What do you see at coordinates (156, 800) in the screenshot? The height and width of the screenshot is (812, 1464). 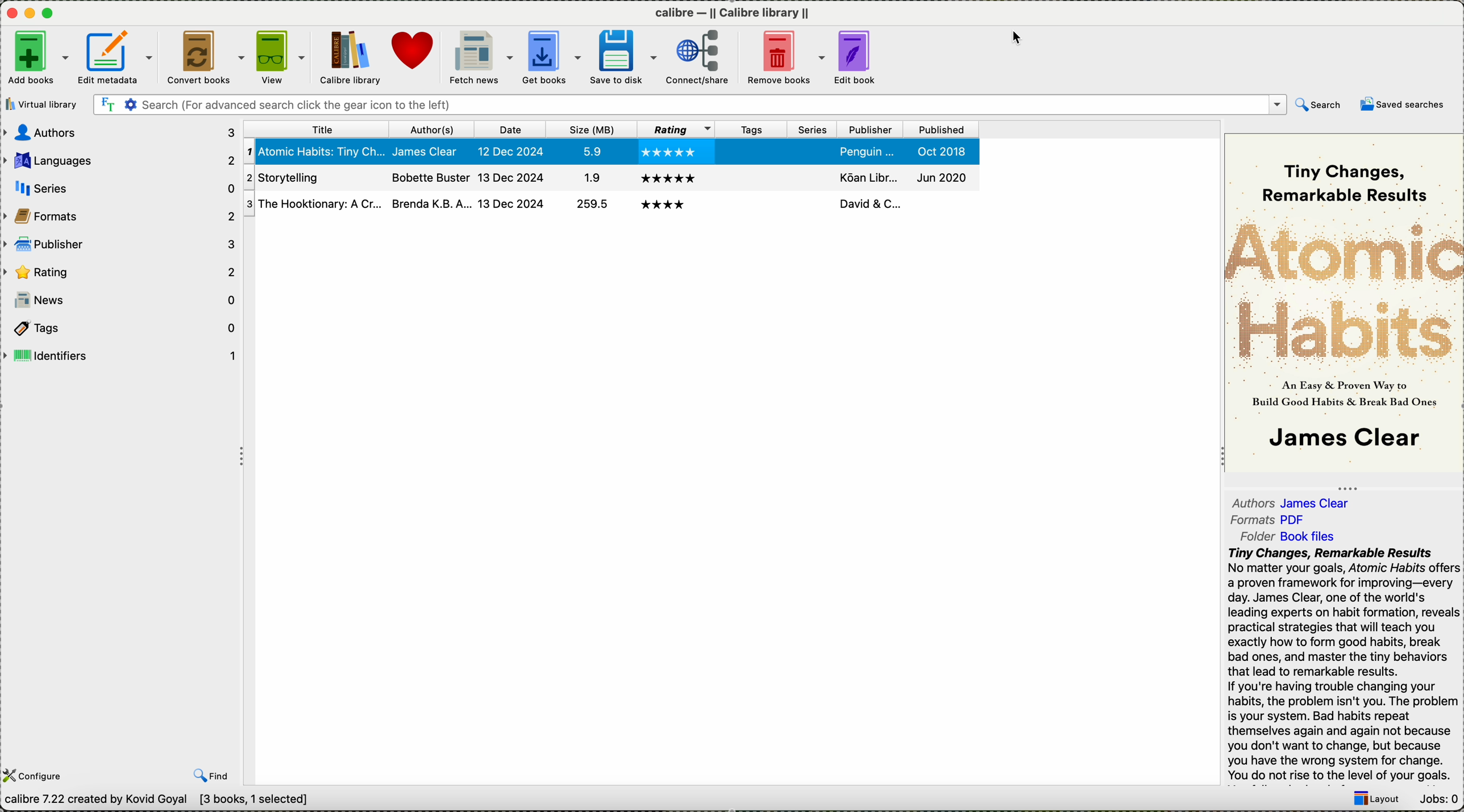 I see `calibre 7.22 created by Kovid Goyal [3 books]` at bounding box center [156, 800].